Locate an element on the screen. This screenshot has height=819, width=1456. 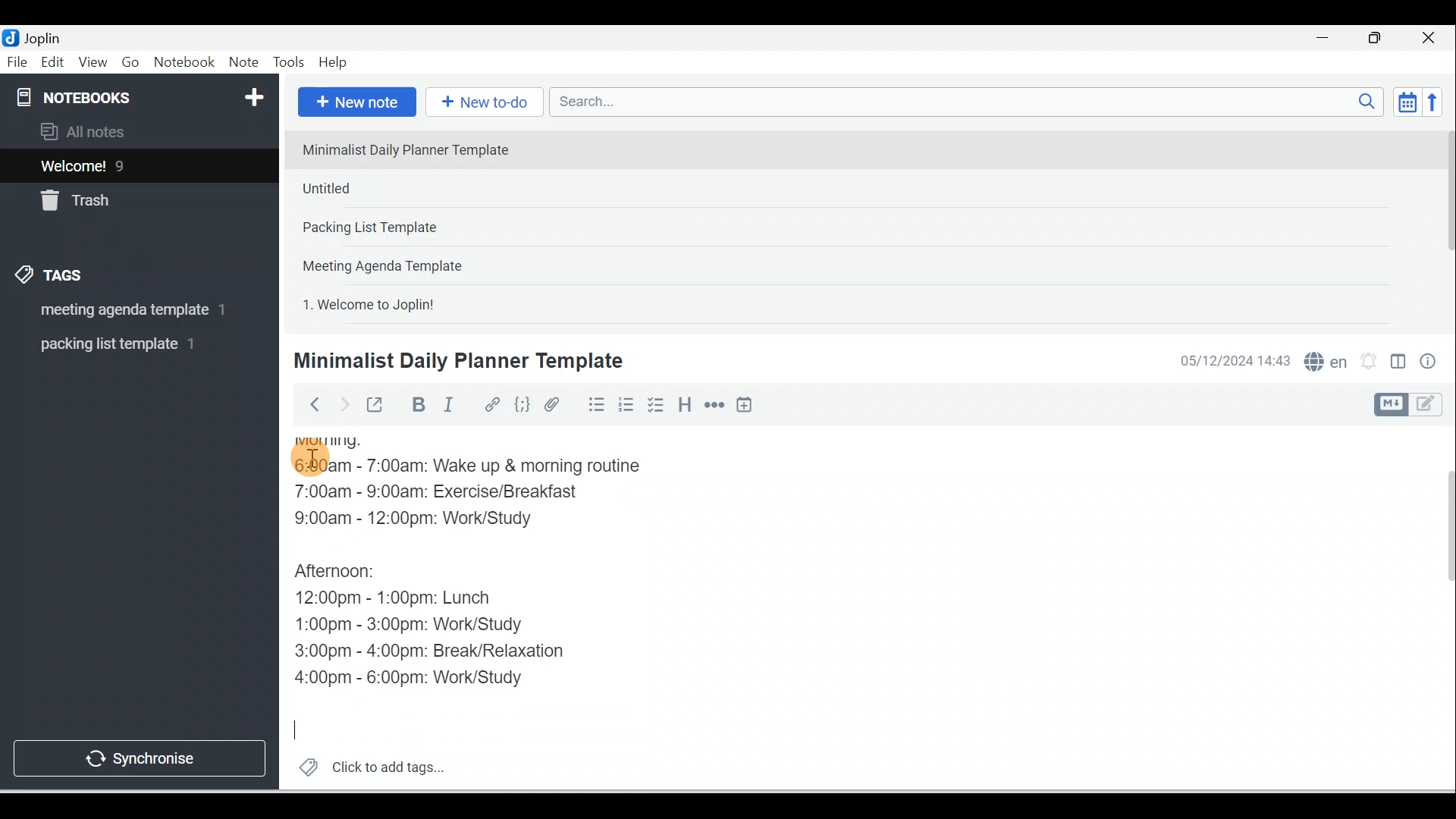
Tags is located at coordinates (54, 278).